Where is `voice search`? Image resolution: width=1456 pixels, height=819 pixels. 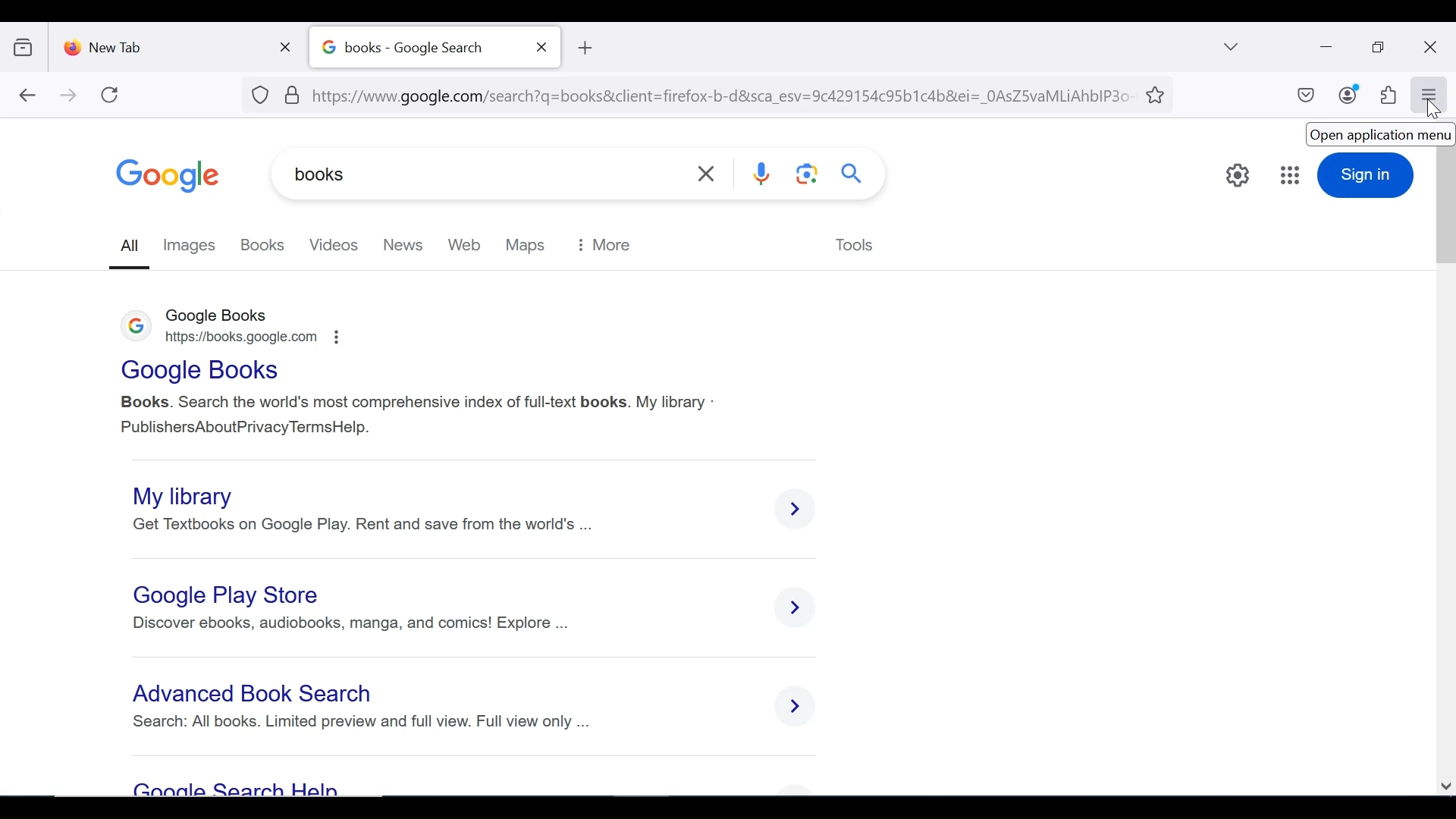 voice search is located at coordinates (764, 176).